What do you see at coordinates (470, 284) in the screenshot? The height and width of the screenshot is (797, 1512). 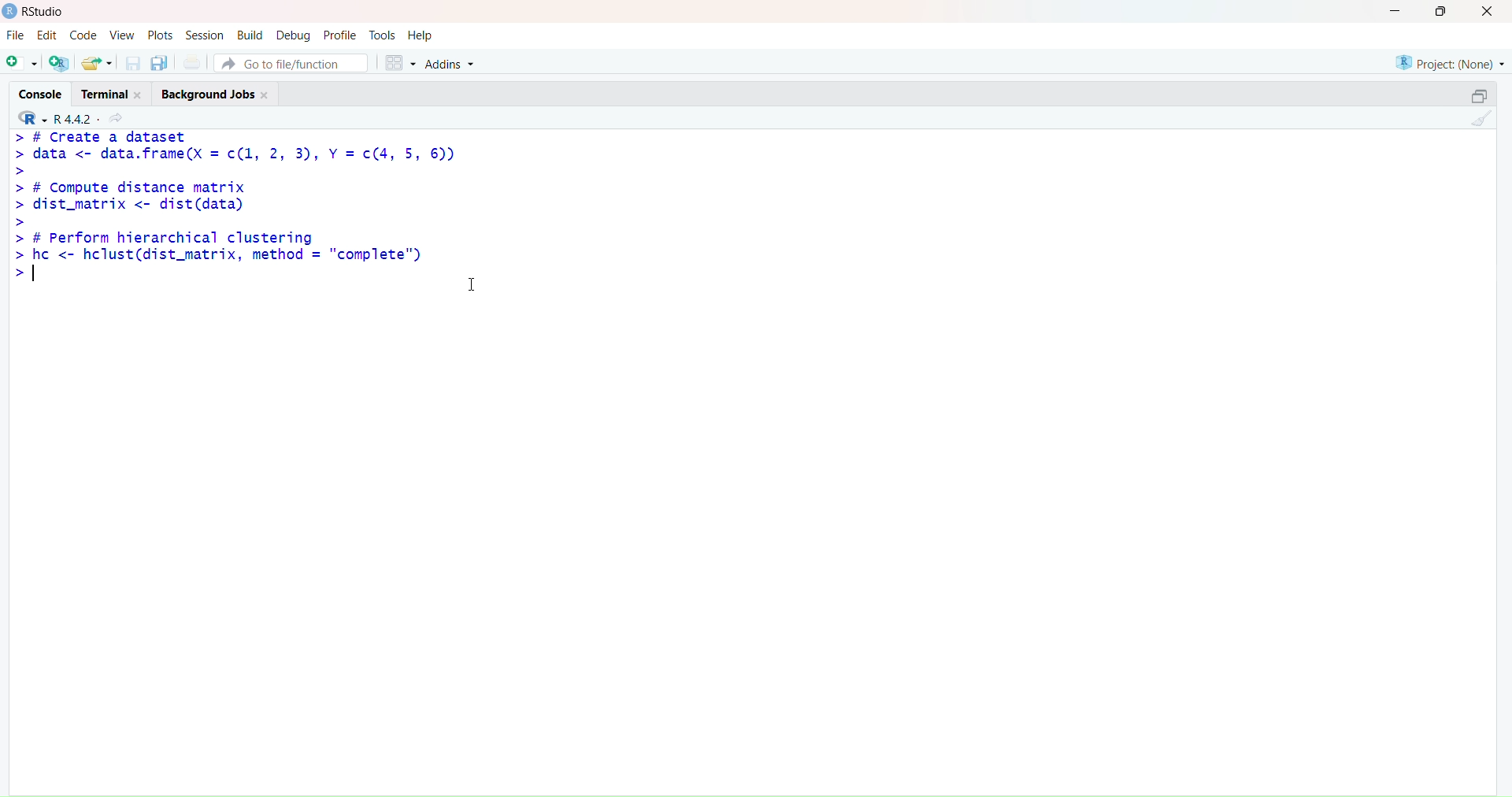 I see `Text cursor` at bounding box center [470, 284].